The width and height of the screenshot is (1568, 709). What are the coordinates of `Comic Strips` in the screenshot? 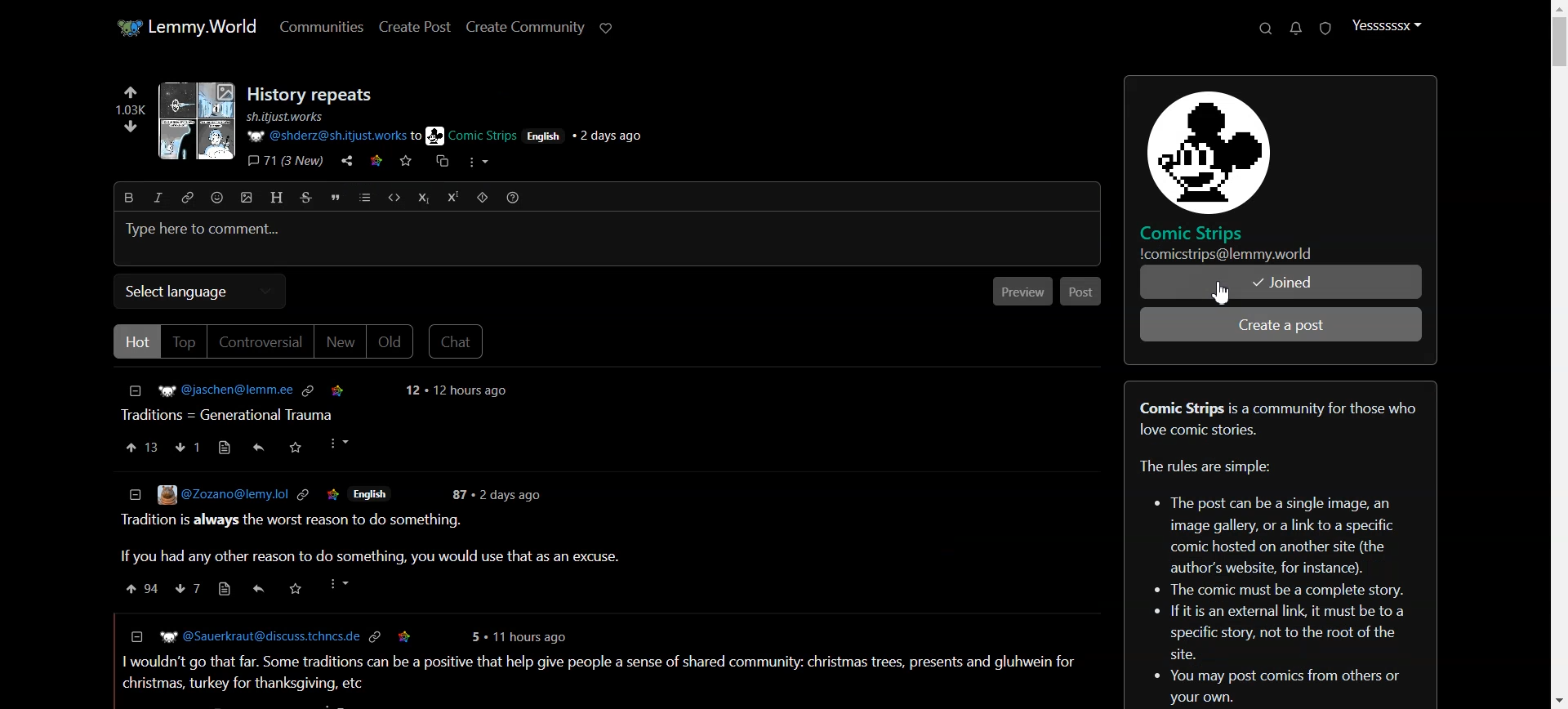 It's located at (1202, 232).